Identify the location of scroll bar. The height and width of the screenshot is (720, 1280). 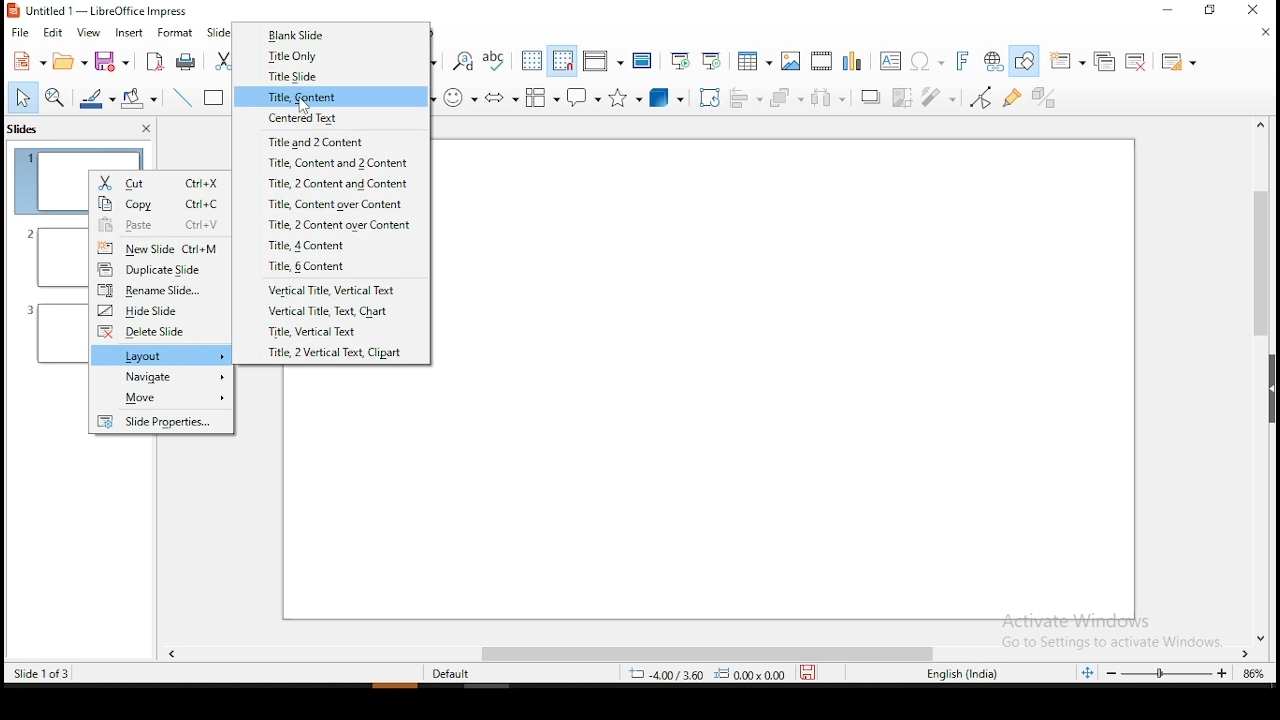
(1253, 381).